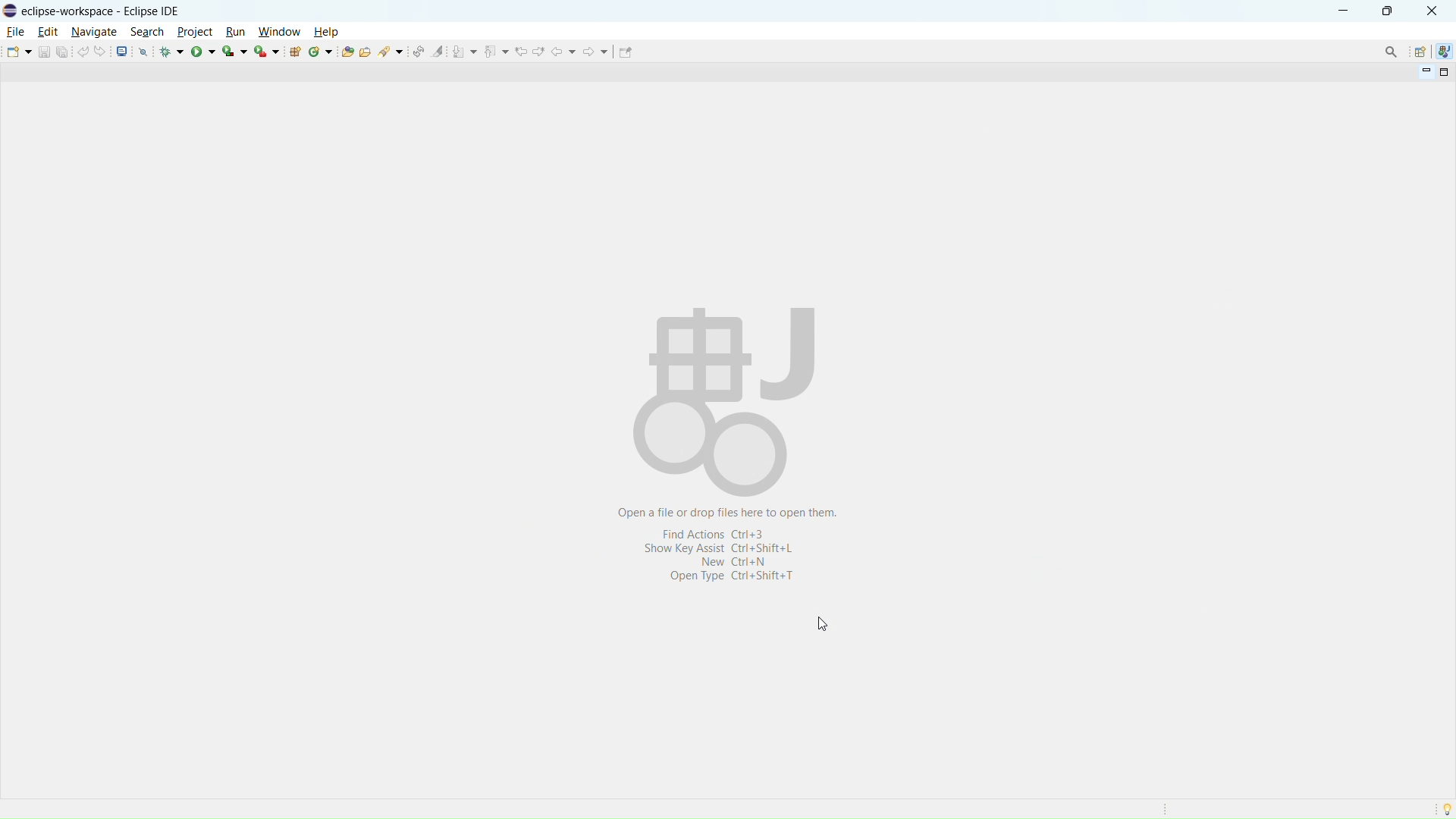 The image size is (1456, 819). I want to click on new java package, so click(295, 51).